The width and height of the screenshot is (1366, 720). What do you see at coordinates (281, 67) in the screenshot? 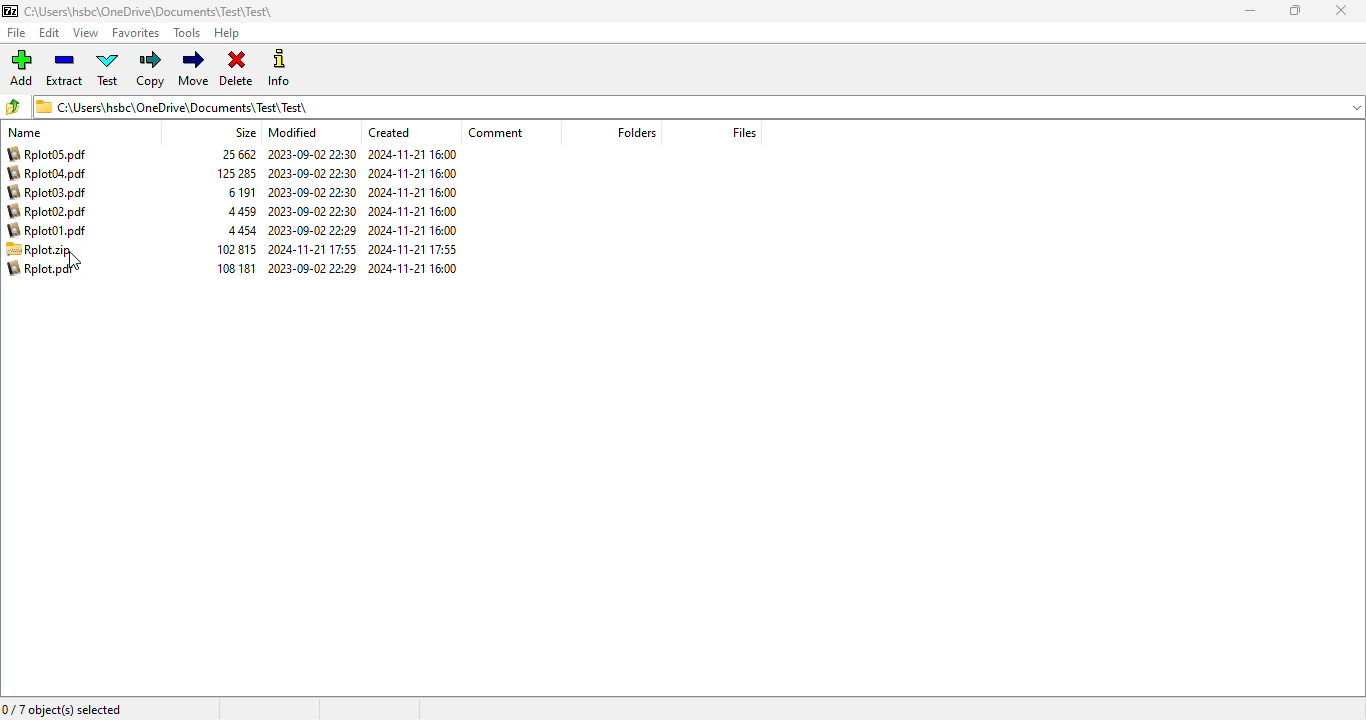
I see `info` at bounding box center [281, 67].